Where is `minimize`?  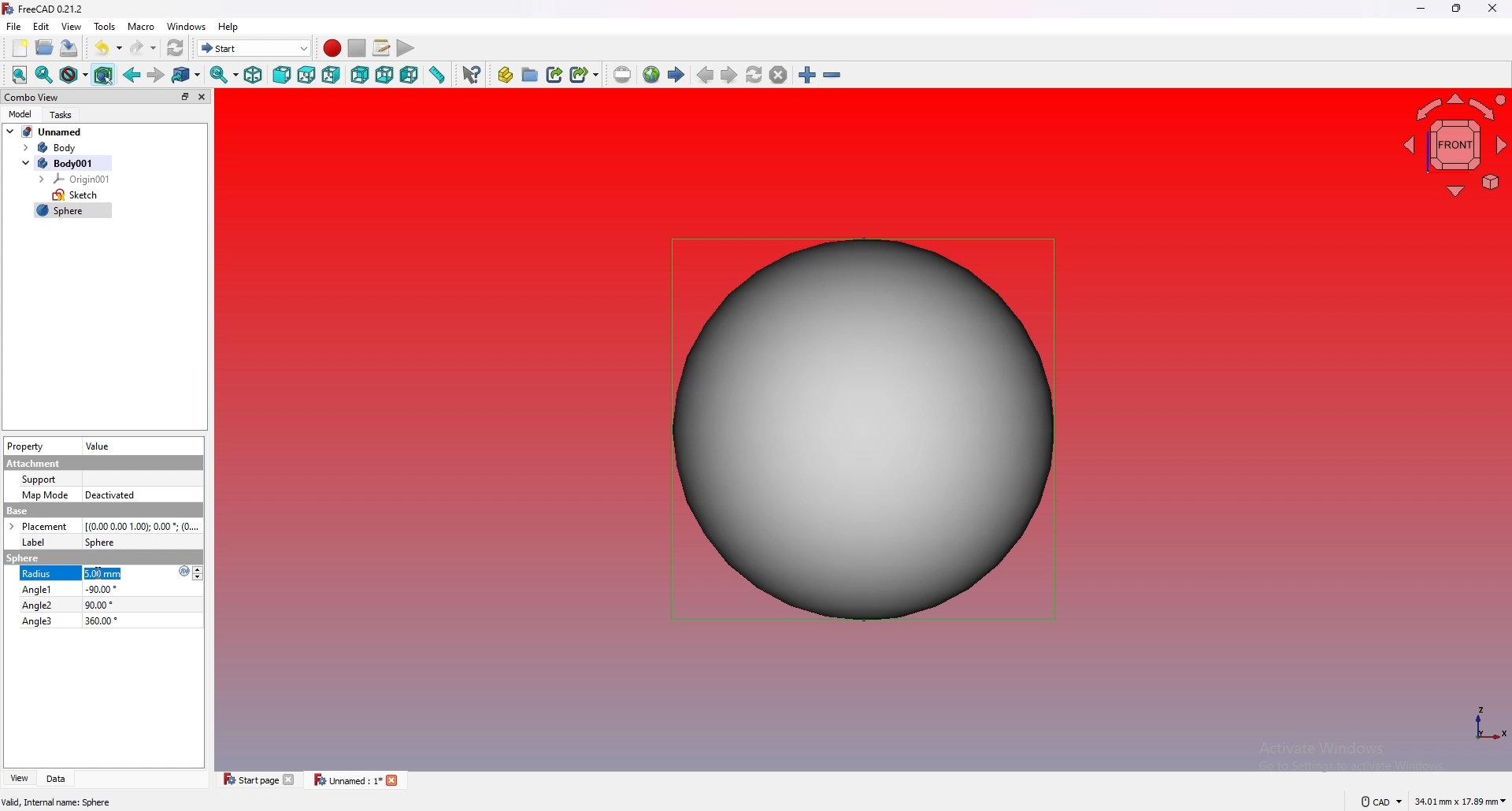
minimize is located at coordinates (1421, 9).